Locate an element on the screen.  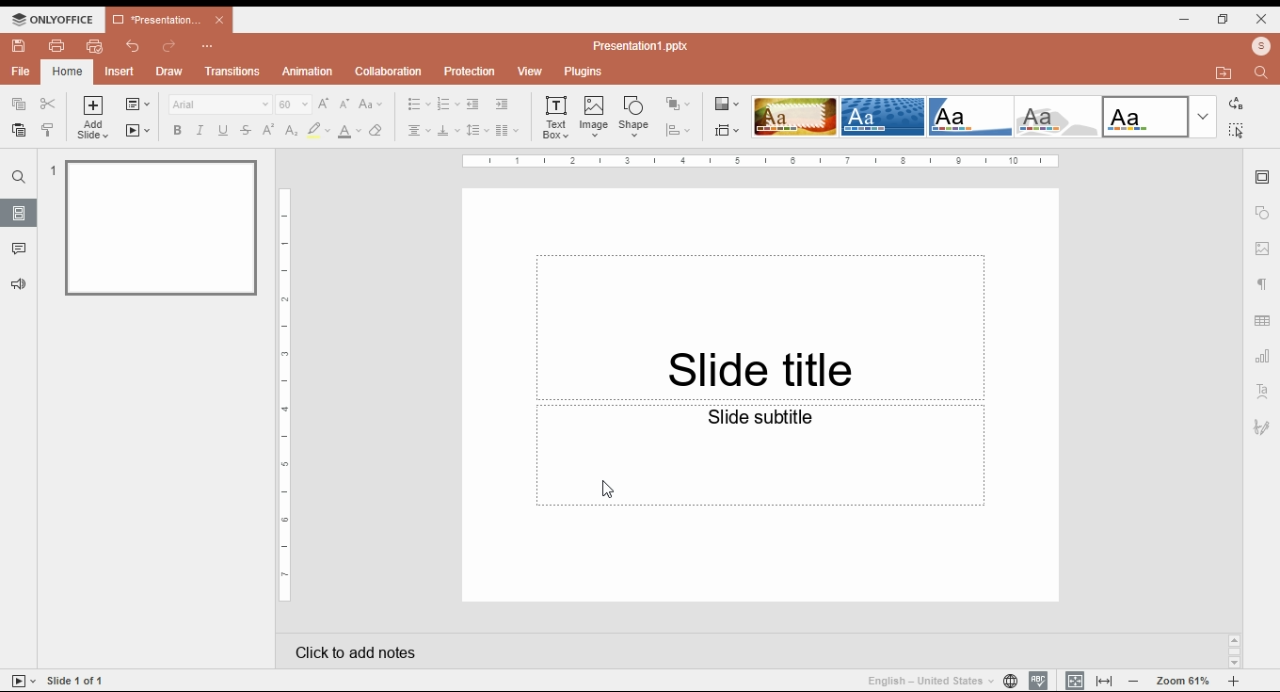
slide settings is located at coordinates (1264, 178).